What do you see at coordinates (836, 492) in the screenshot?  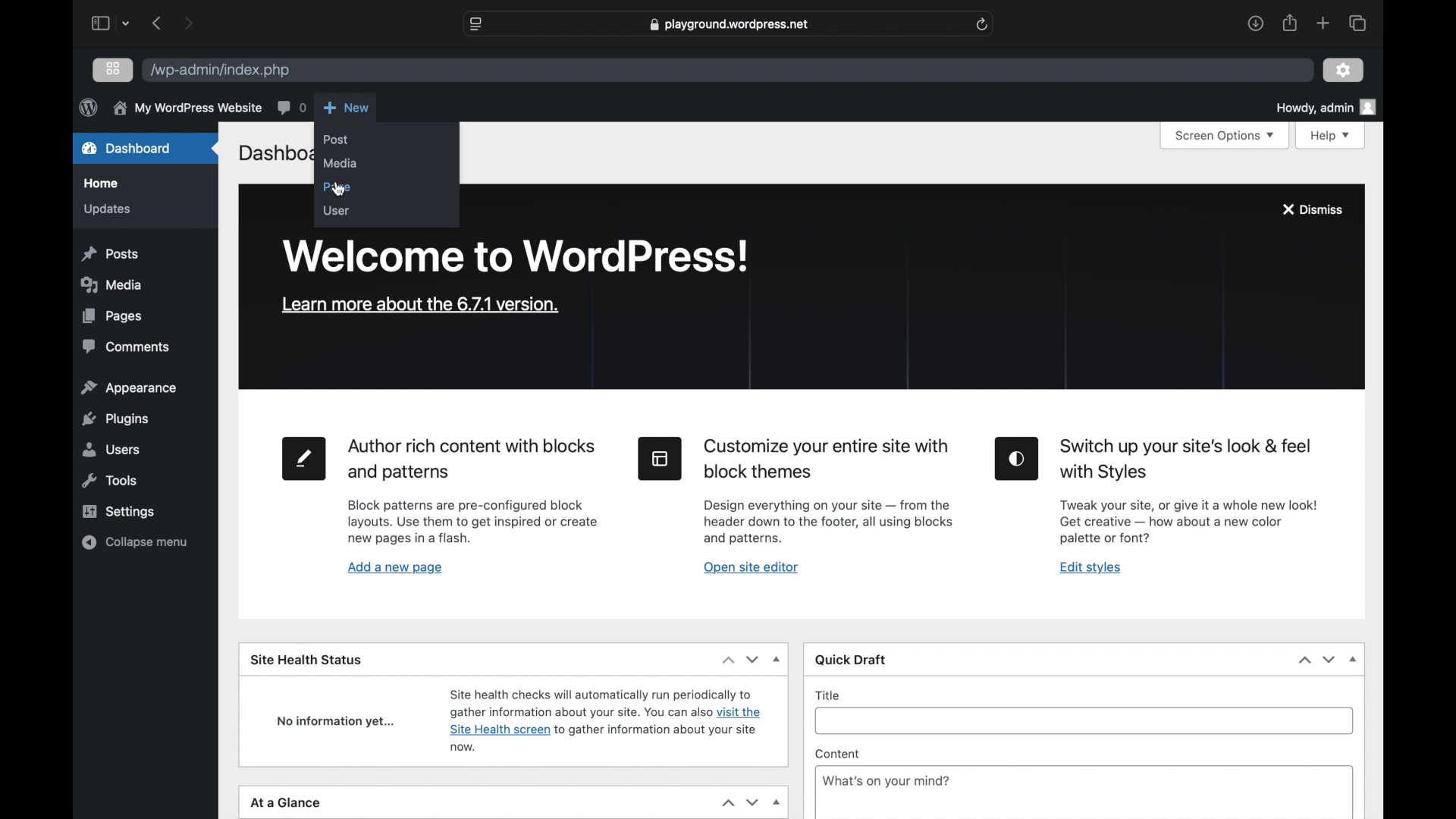 I see `Customize your entire site with
block themes

Design everything on your site — from the
header down to the footer, all using blocks
and patterns.` at bounding box center [836, 492].